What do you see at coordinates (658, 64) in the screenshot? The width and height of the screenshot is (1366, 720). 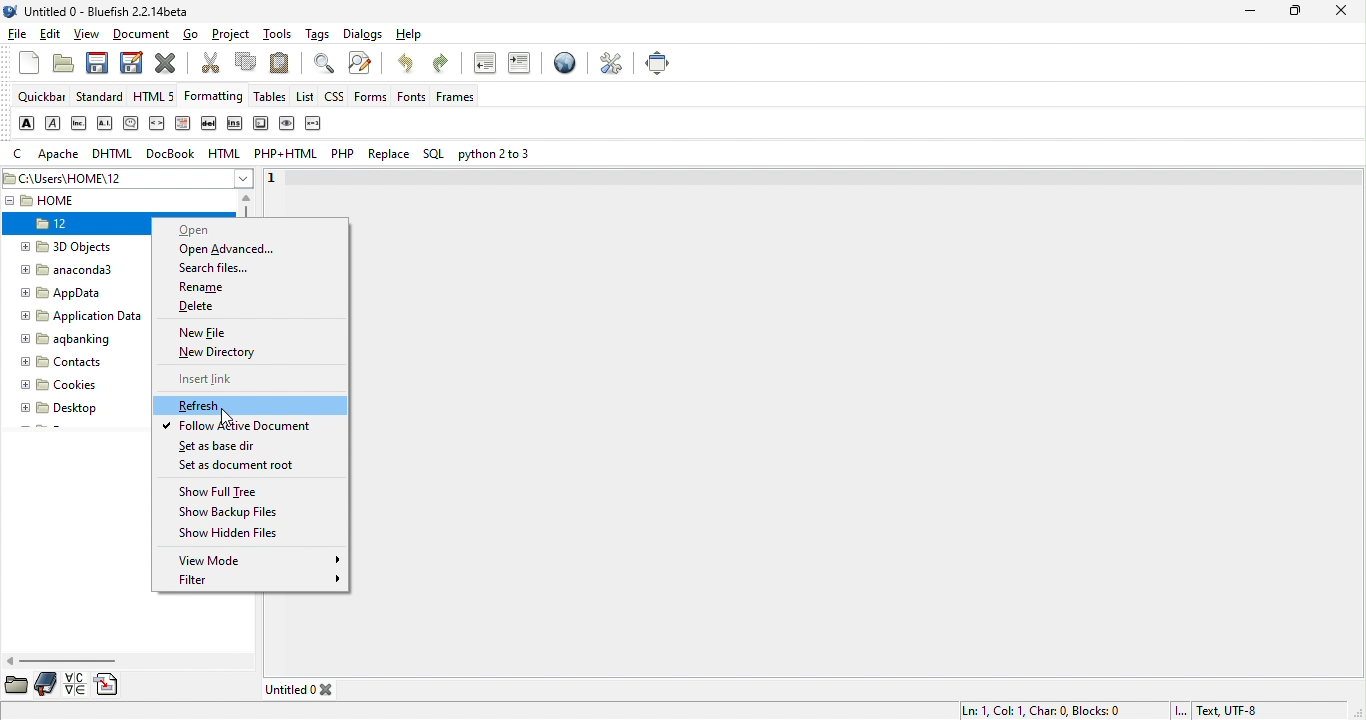 I see `full screen` at bounding box center [658, 64].